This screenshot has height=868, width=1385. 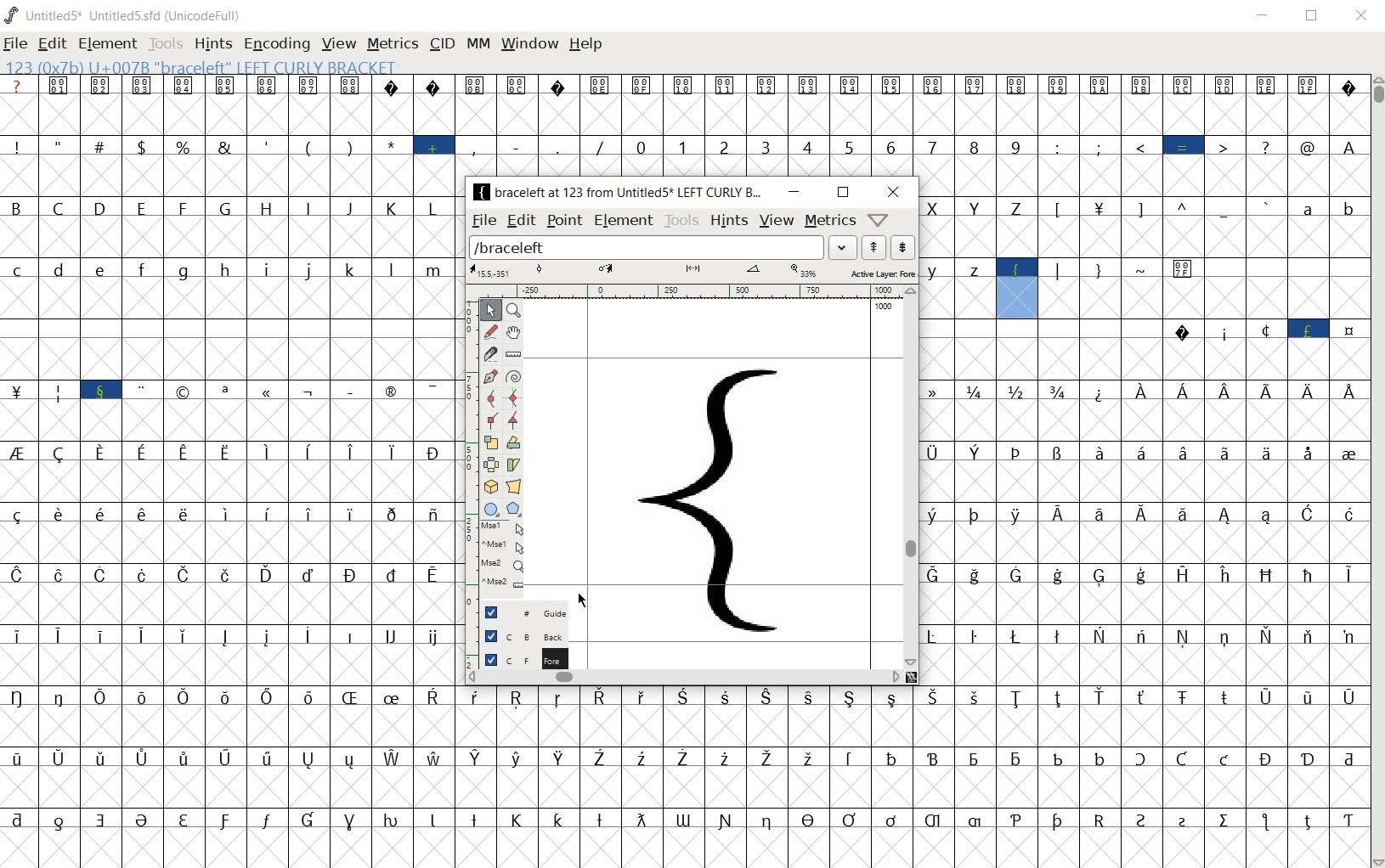 What do you see at coordinates (1314, 17) in the screenshot?
I see `restore down` at bounding box center [1314, 17].